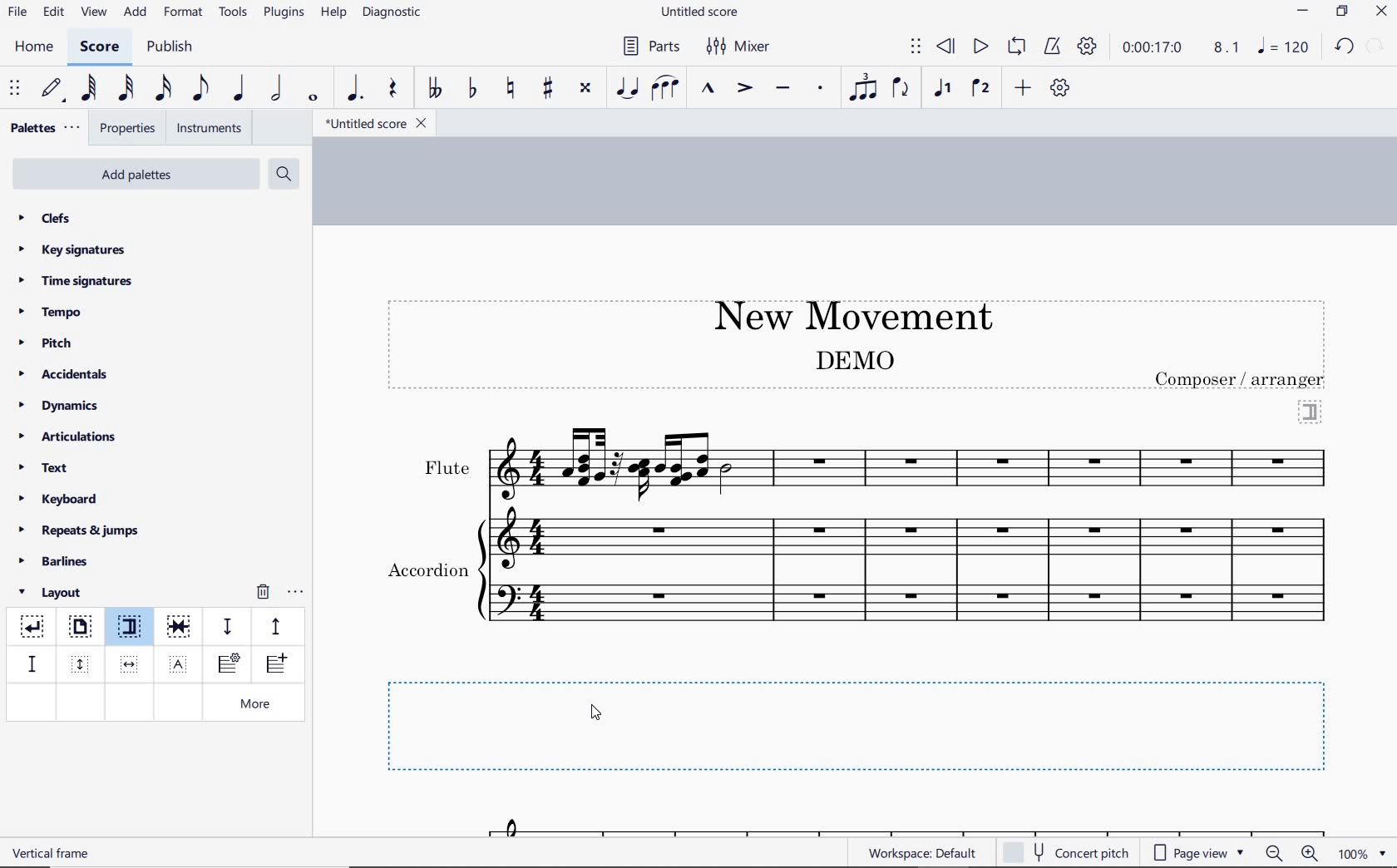 This screenshot has height=868, width=1397. Describe the element at coordinates (185, 12) in the screenshot. I see `format` at that location.